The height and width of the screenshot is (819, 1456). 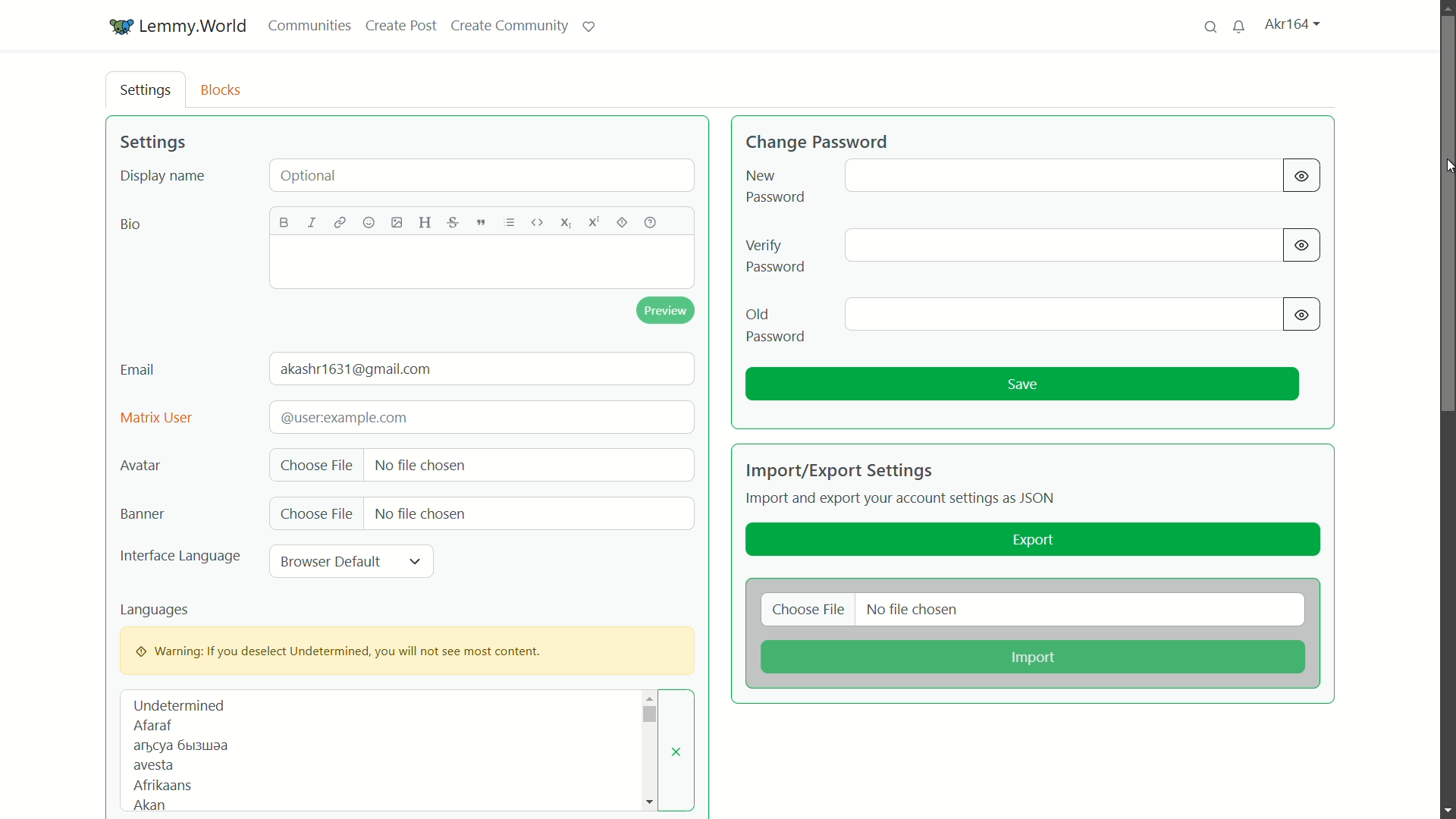 I want to click on old password, so click(x=775, y=325).